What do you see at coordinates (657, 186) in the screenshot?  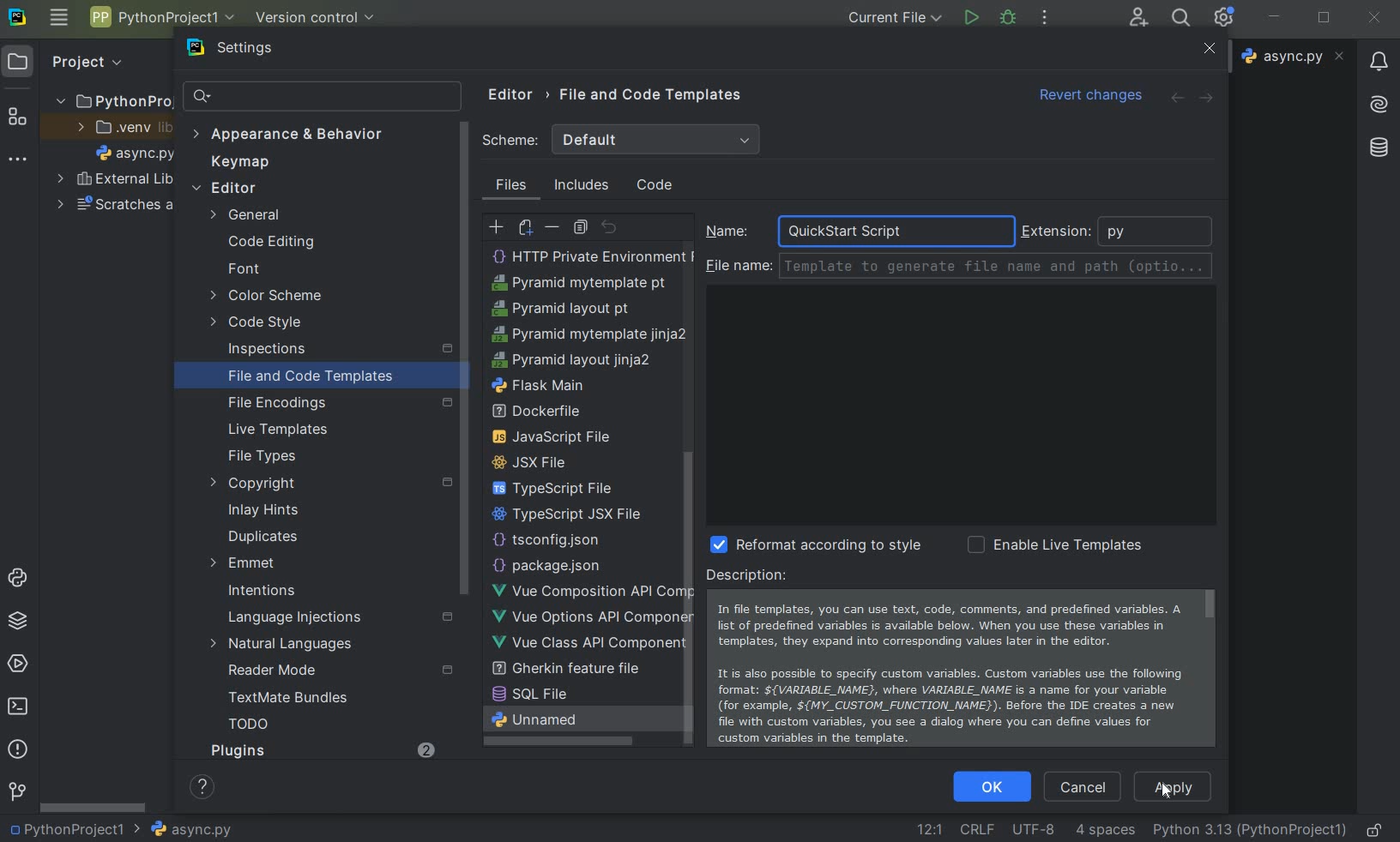 I see `code` at bounding box center [657, 186].